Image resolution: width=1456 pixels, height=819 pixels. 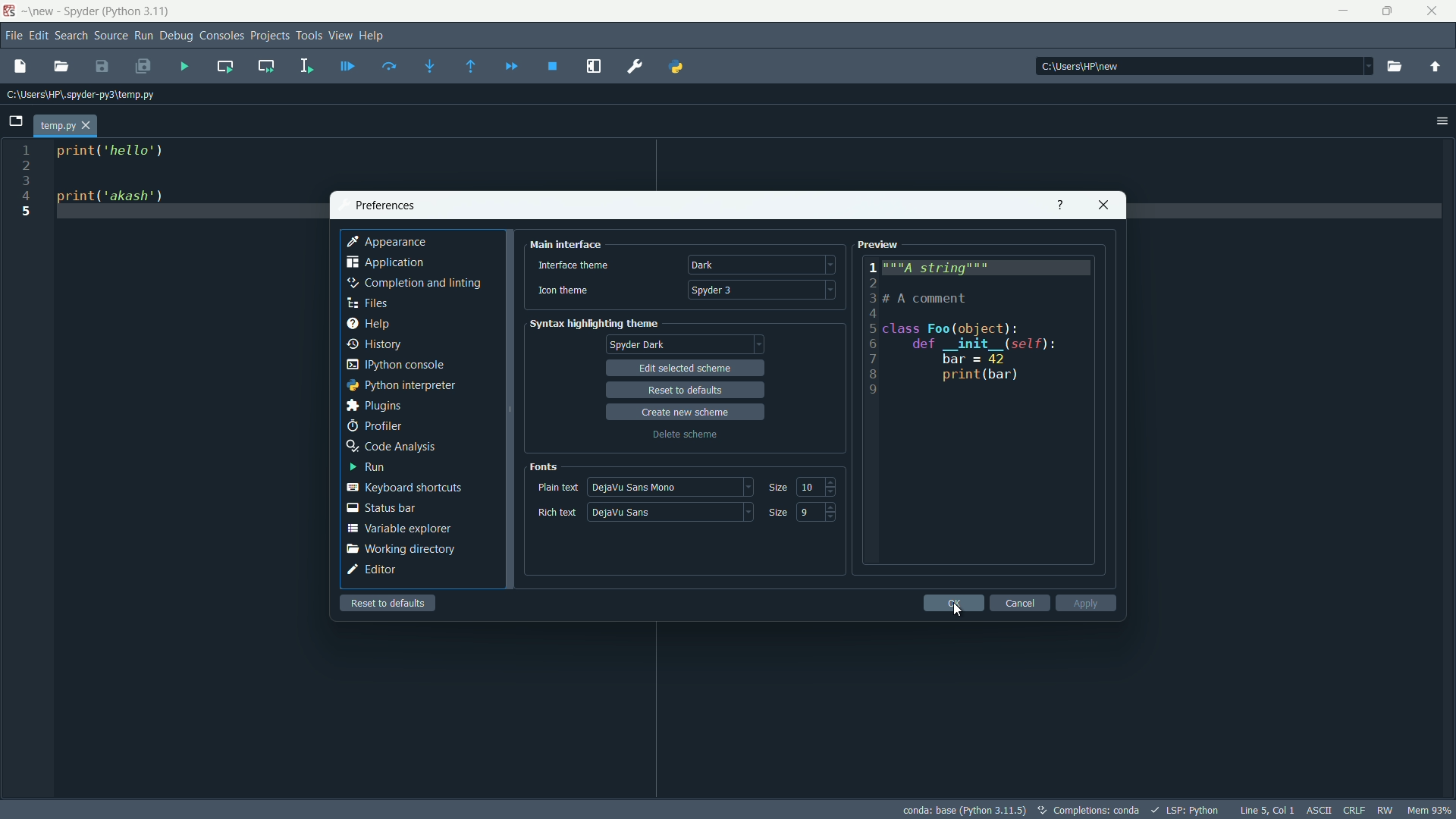 I want to click on run menu, so click(x=143, y=36).